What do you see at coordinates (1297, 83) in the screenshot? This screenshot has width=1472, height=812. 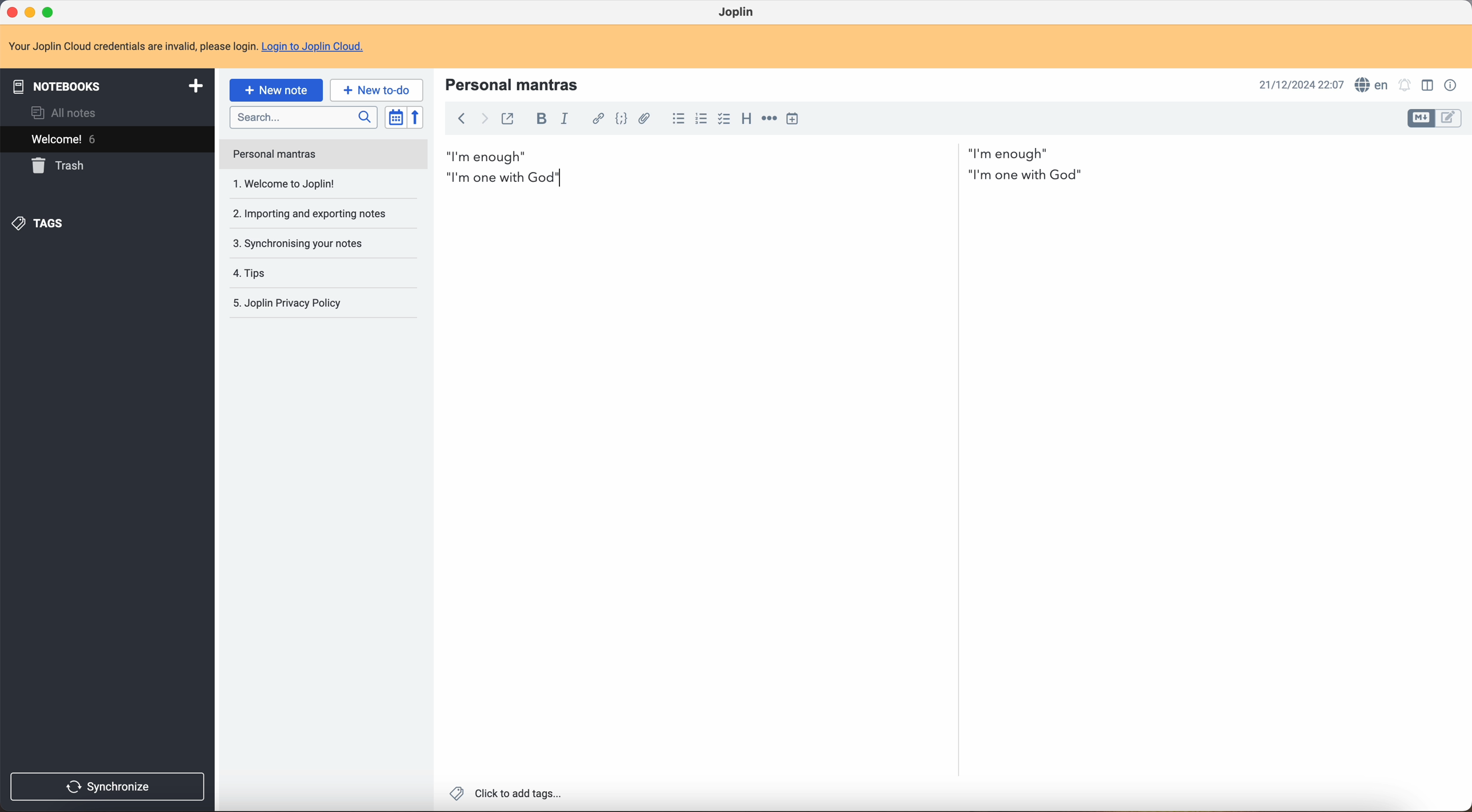 I see `date and hour` at bounding box center [1297, 83].